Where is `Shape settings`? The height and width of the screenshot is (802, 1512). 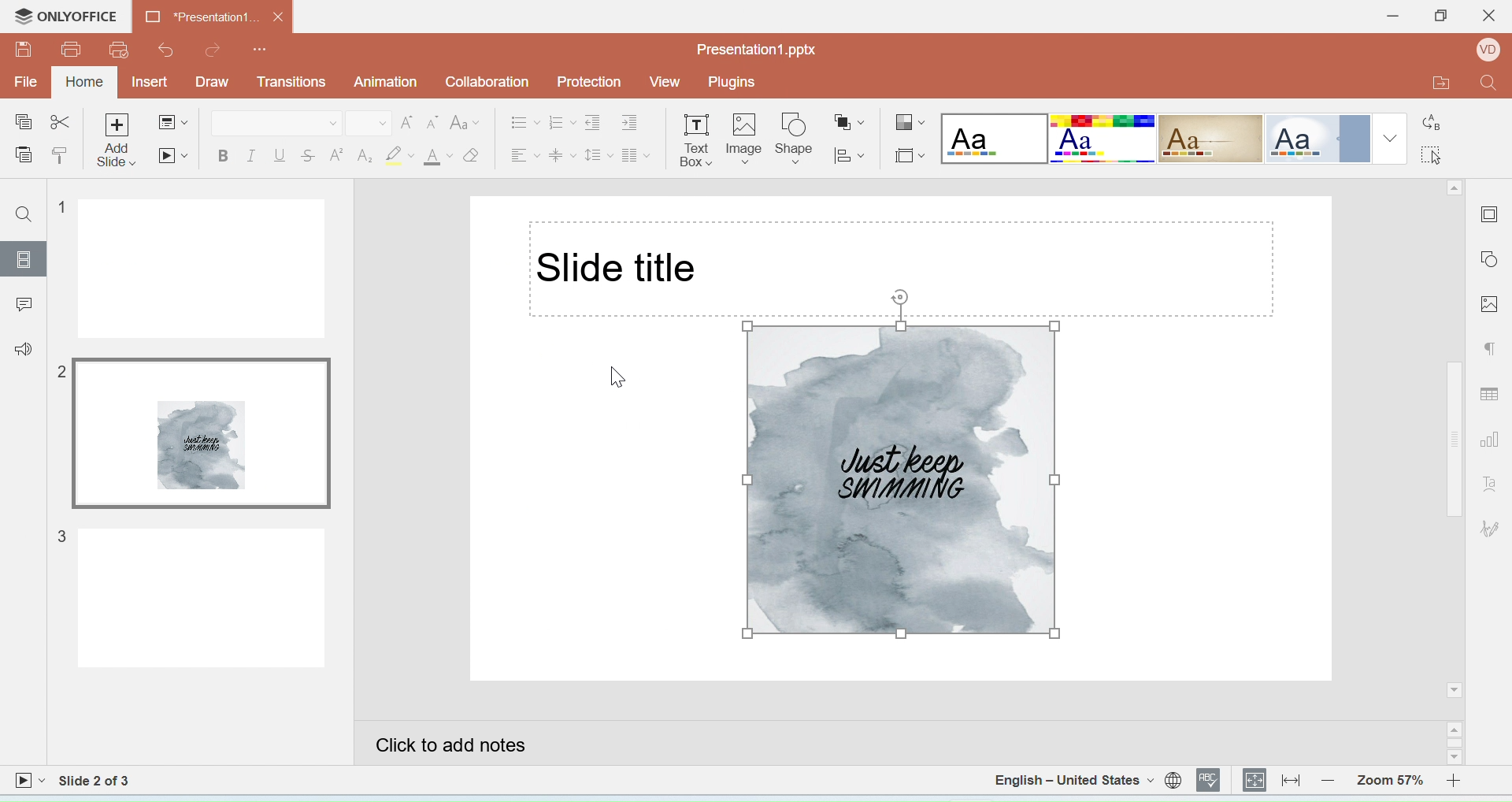 Shape settings is located at coordinates (1493, 261).